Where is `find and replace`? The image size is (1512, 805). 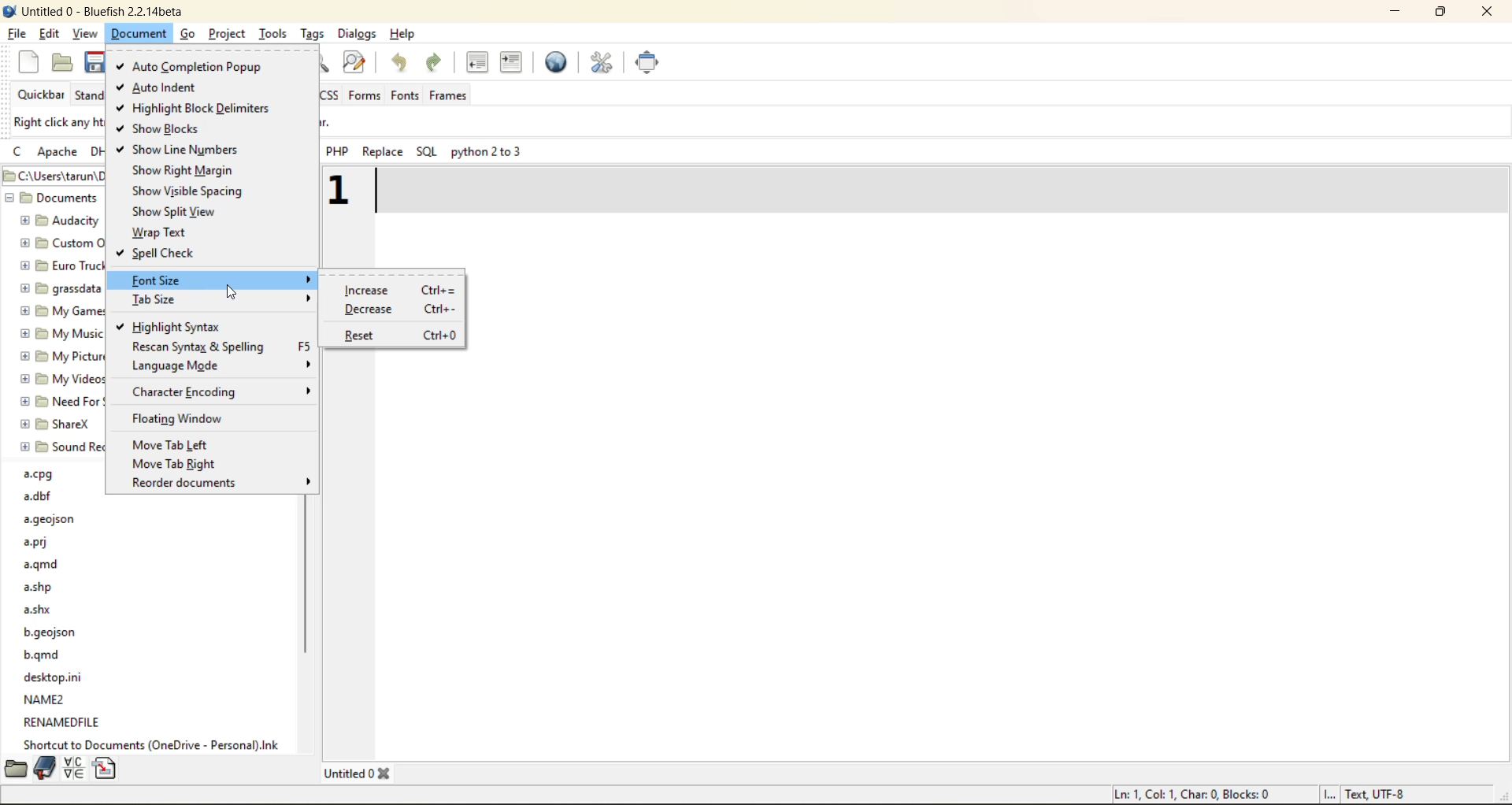
find and replace is located at coordinates (355, 59).